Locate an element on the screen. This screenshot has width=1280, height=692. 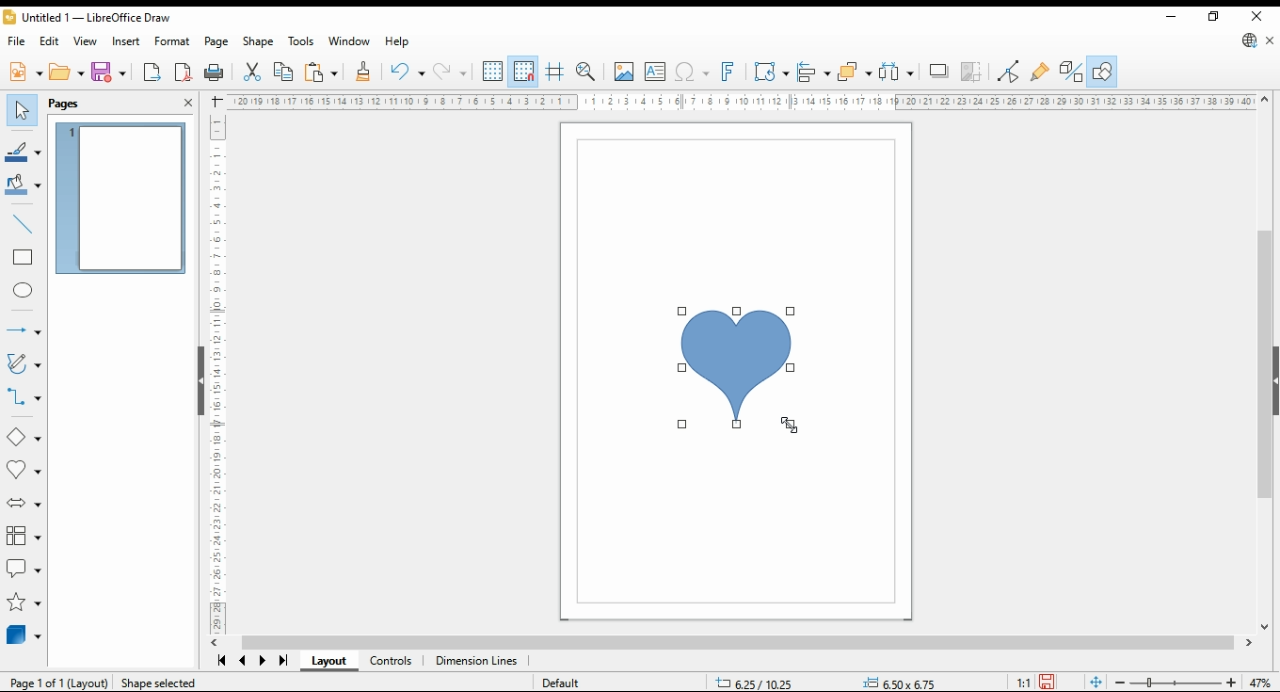
layout is located at coordinates (326, 662).